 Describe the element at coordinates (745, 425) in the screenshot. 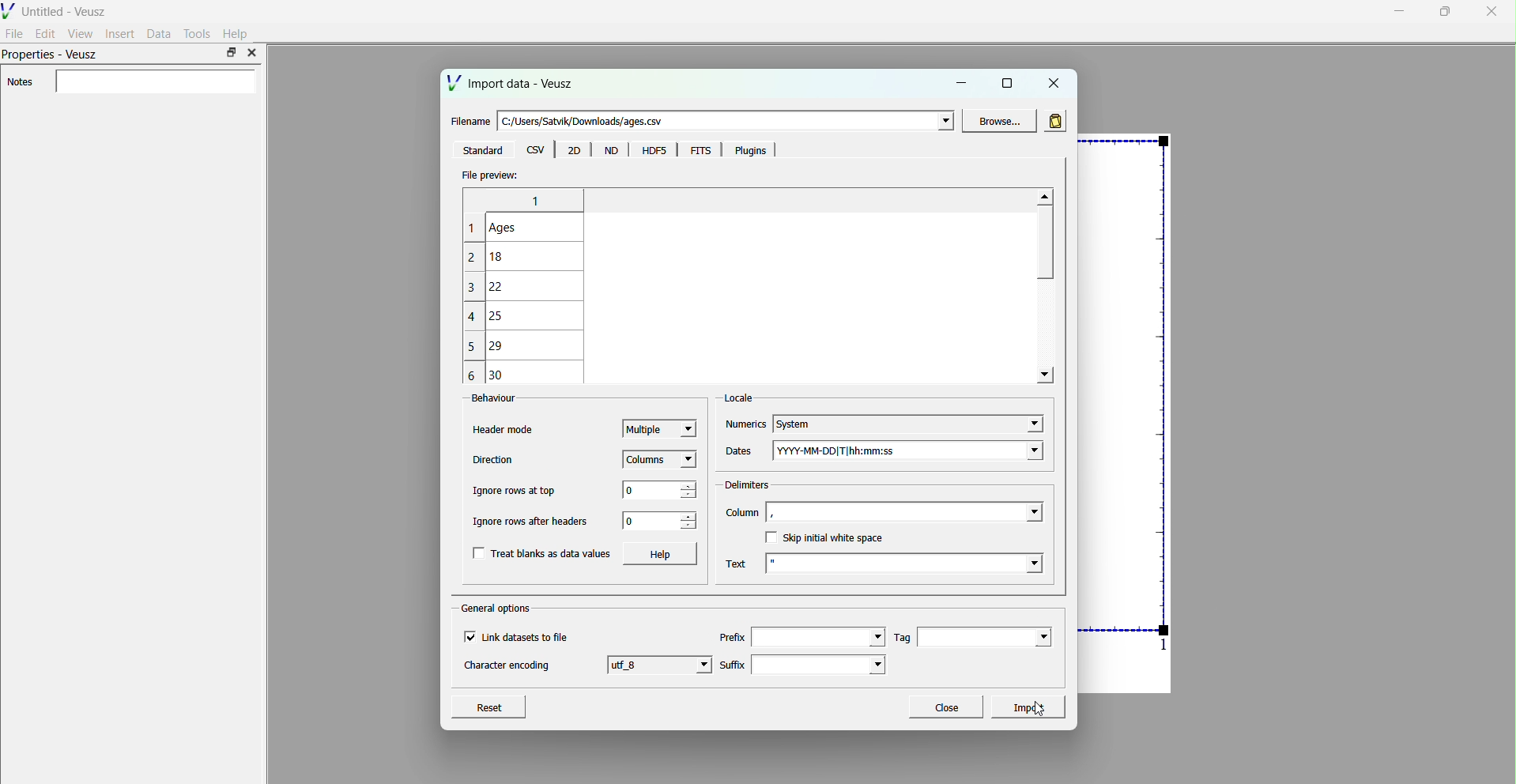

I see `Numerics` at that location.